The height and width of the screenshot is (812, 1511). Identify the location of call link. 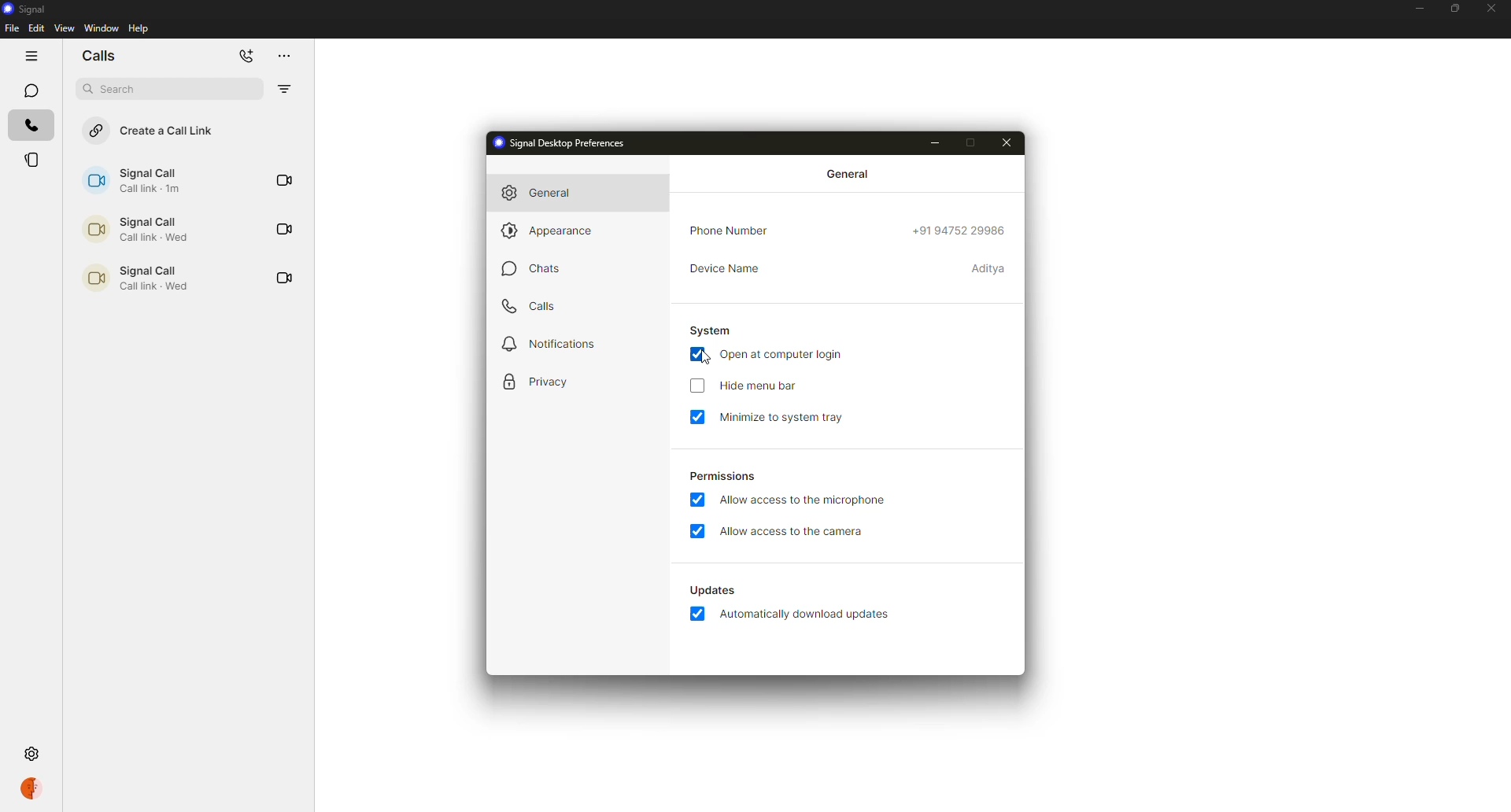
(133, 277).